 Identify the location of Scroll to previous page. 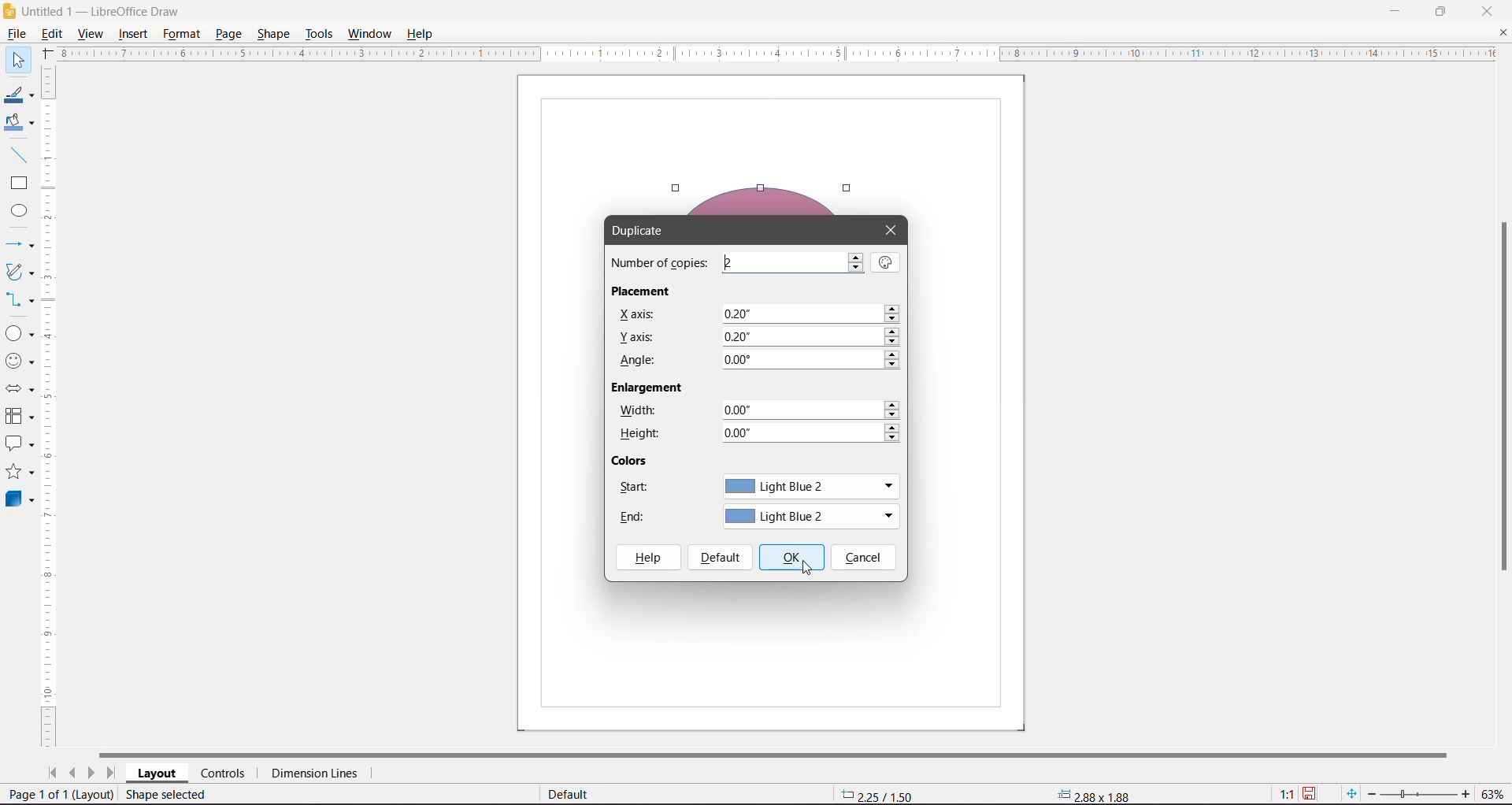
(73, 773).